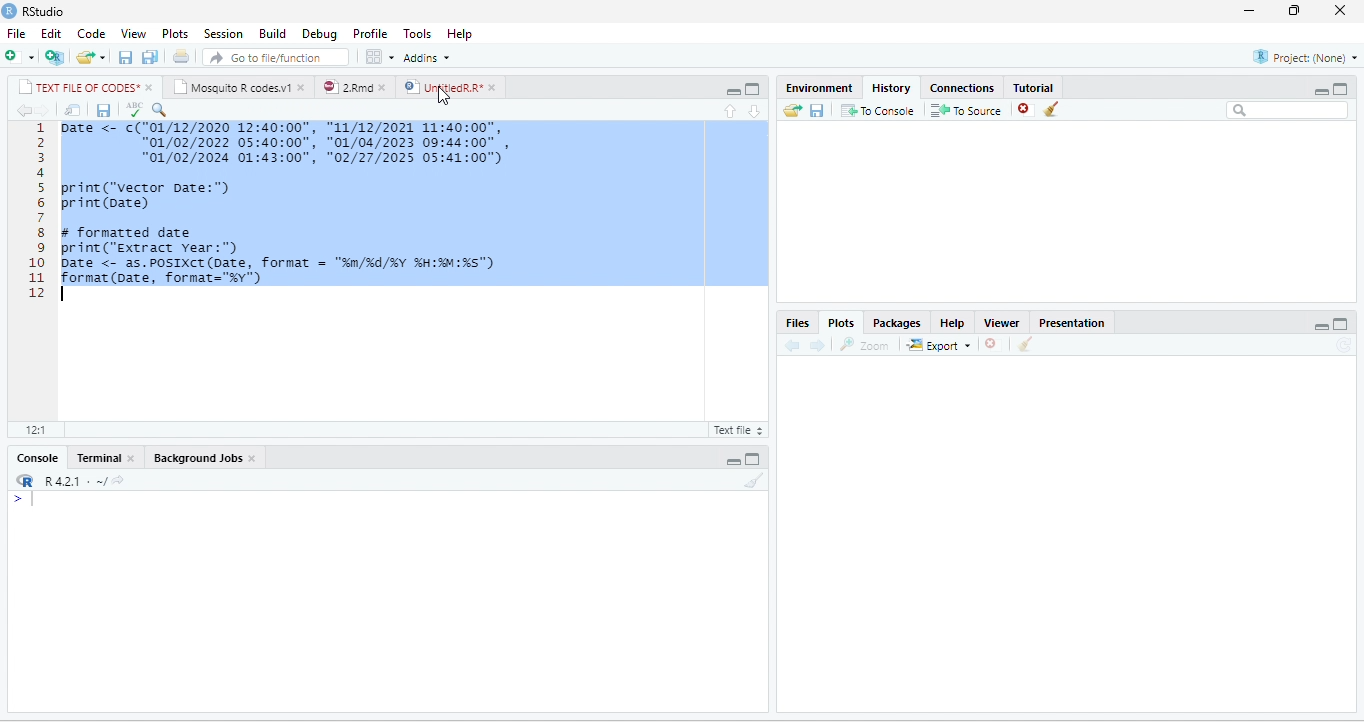 Image resolution: width=1364 pixels, height=722 pixels. Describe the element at coordinates (196, 458) in the screenshot. I see `Background Jobs` at that location.